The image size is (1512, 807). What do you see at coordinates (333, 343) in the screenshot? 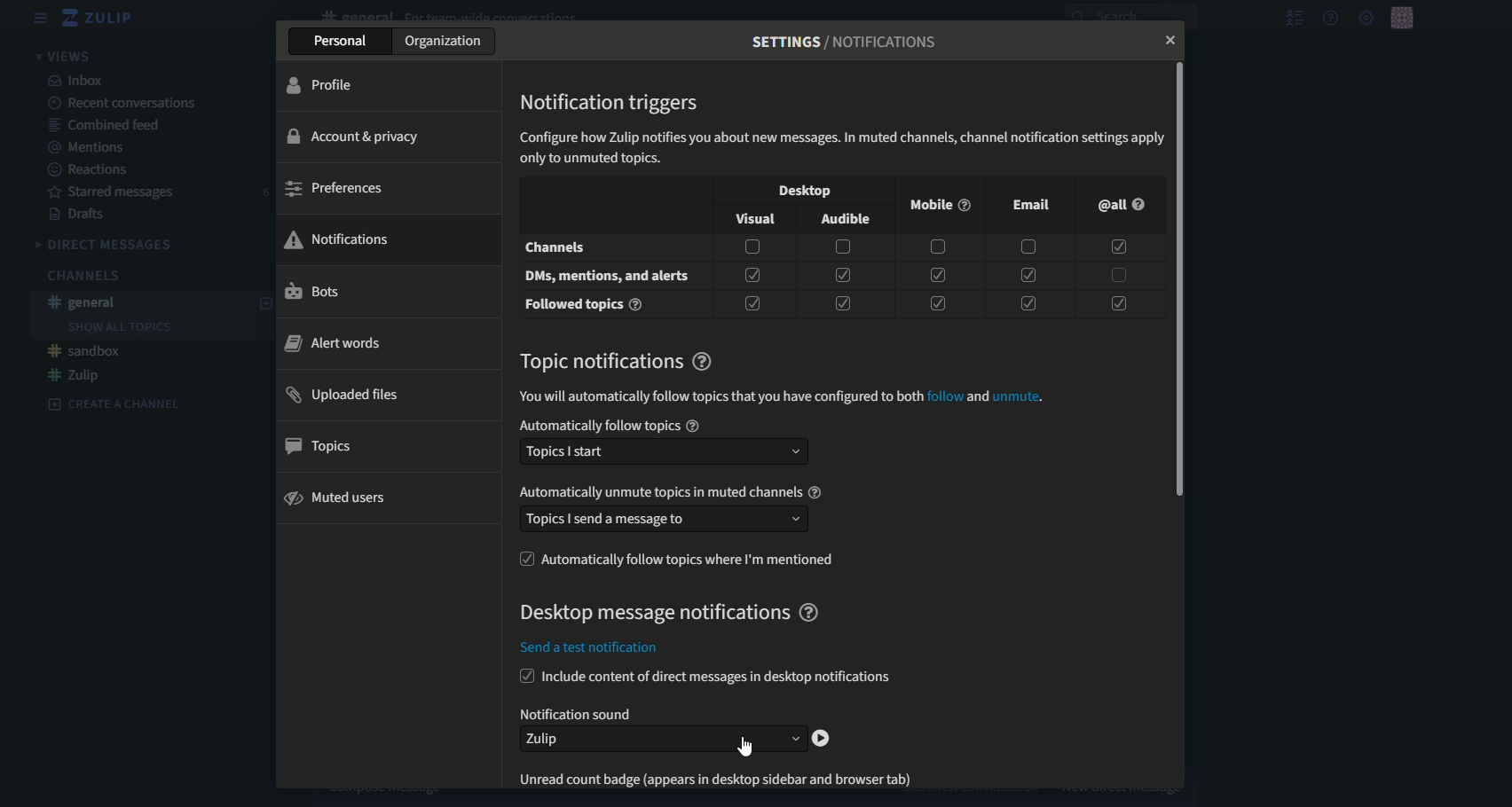
I see `alert words` at bounding box center [333, 343].